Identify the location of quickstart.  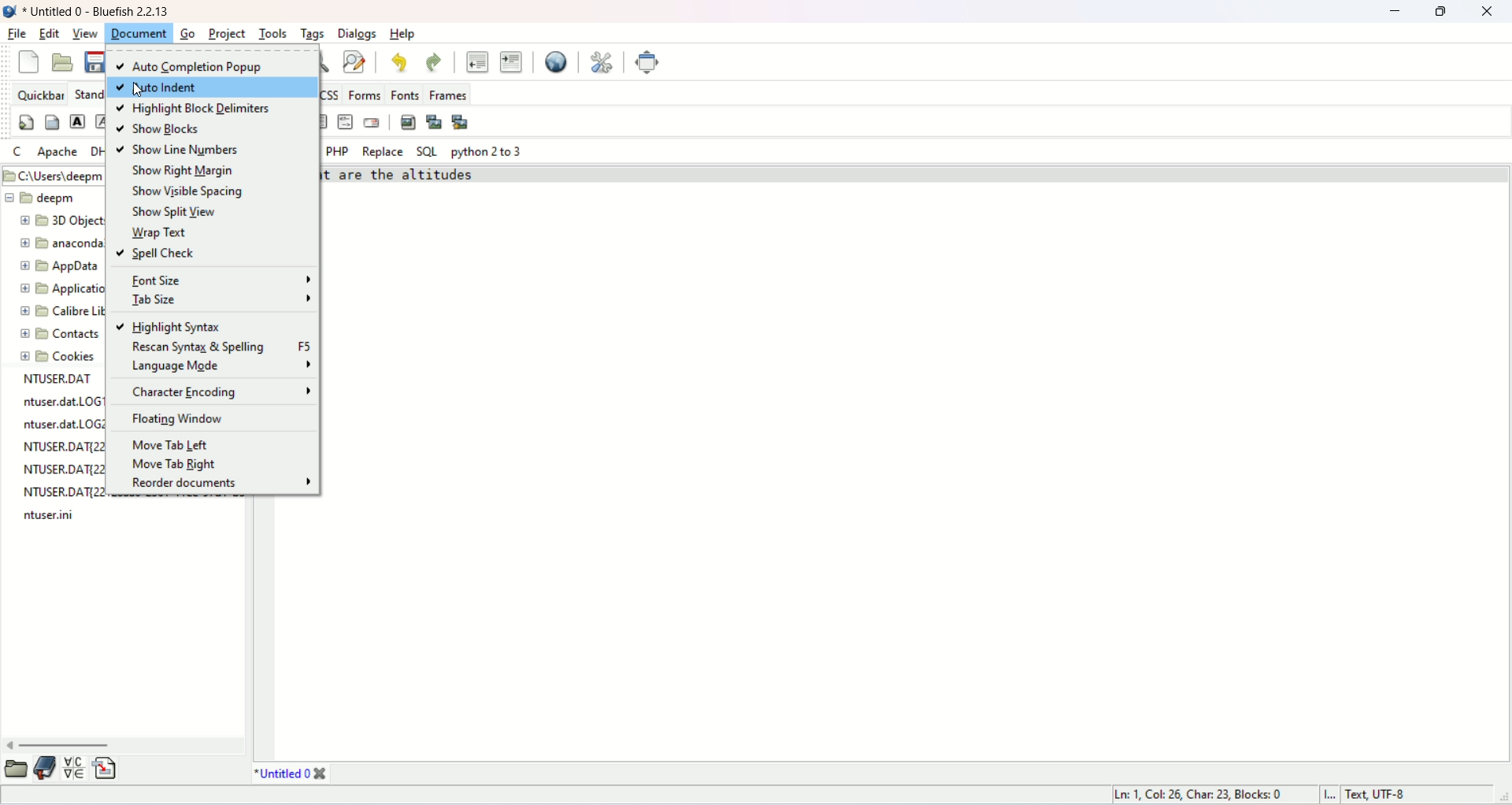
(26, 124).